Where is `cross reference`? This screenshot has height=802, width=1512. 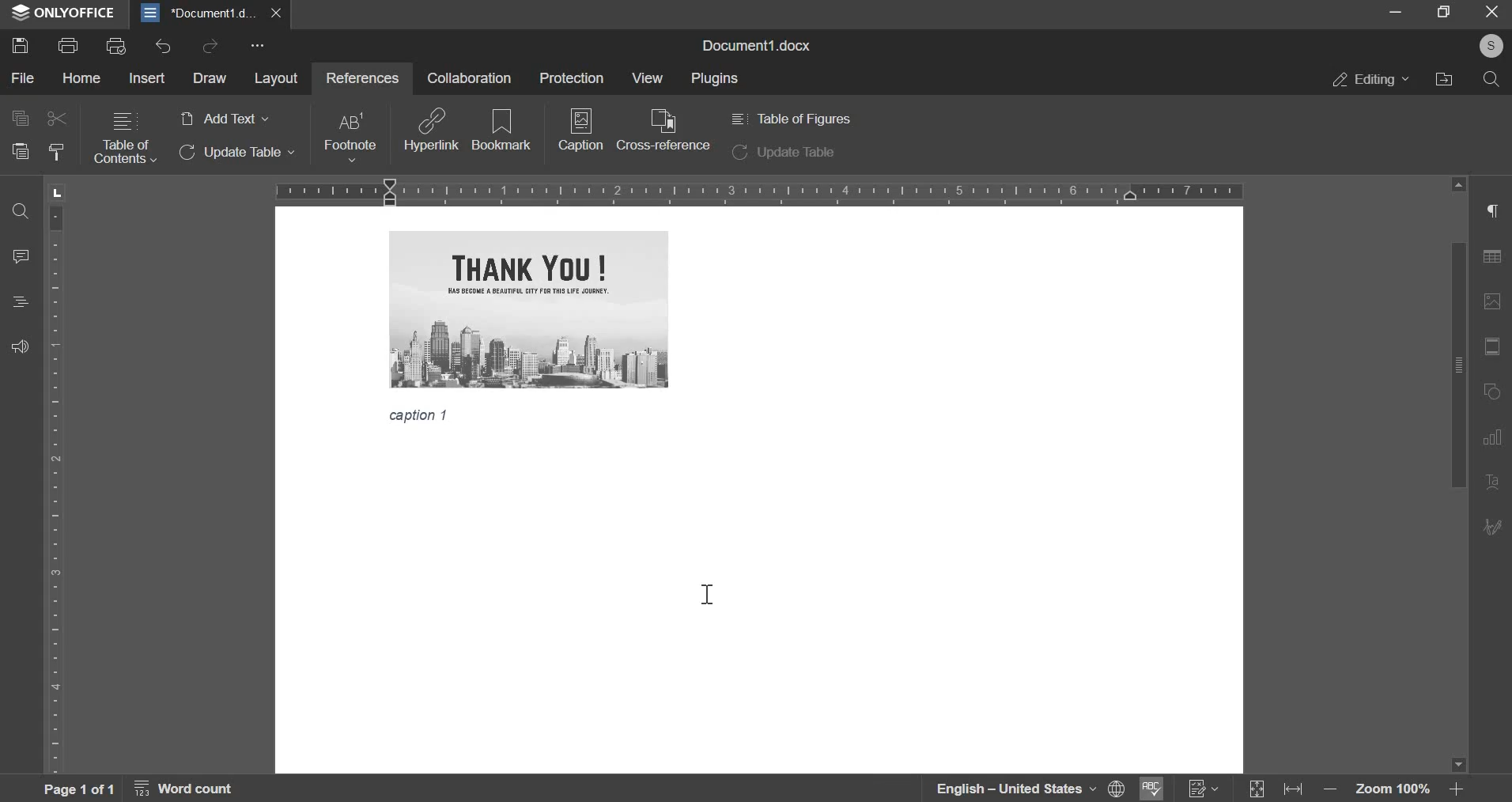 cross reference is located at coordinates (663, 130).